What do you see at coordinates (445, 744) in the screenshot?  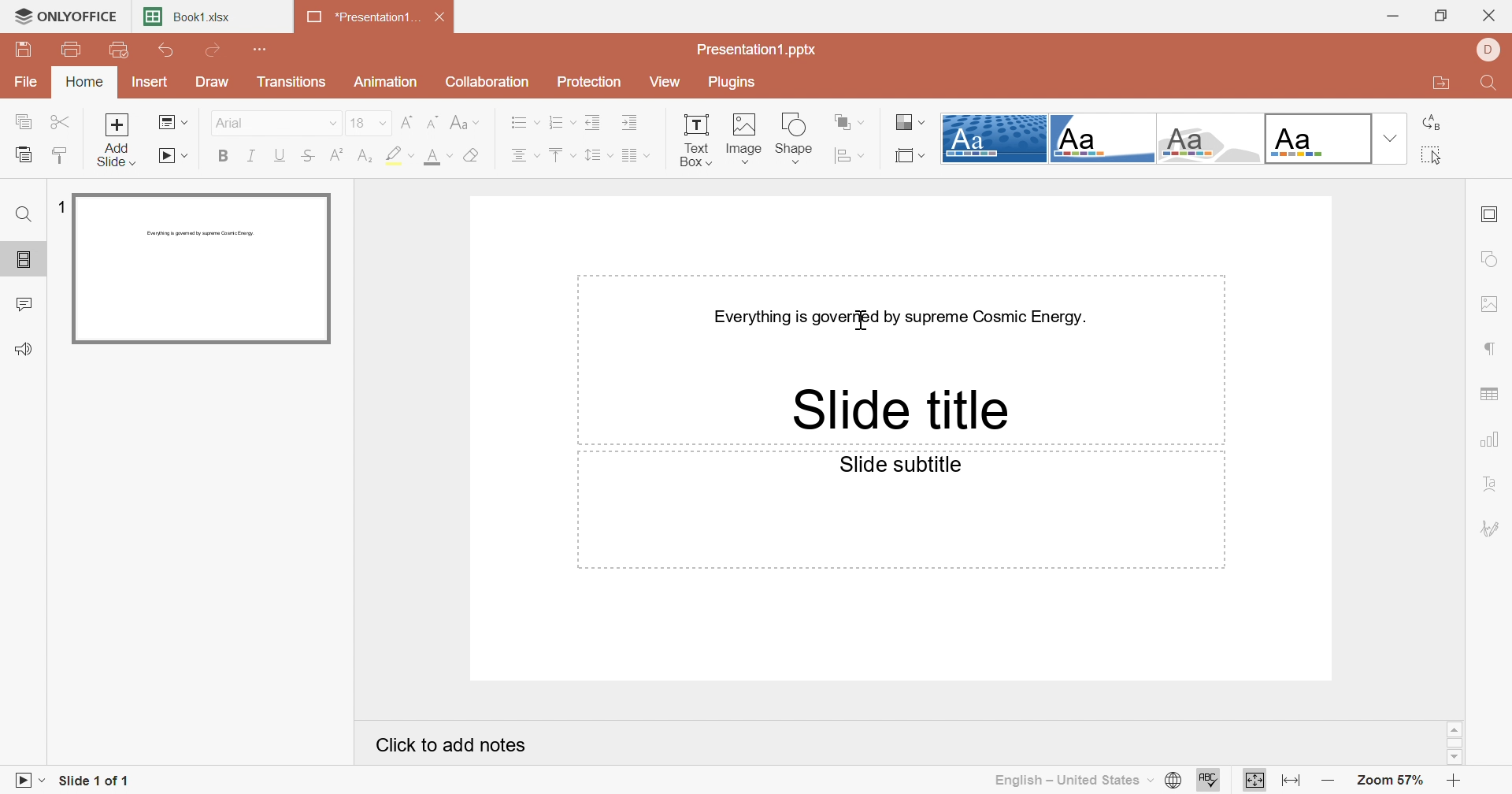 I see `Click to add notes` at bounding box center [445, 744].